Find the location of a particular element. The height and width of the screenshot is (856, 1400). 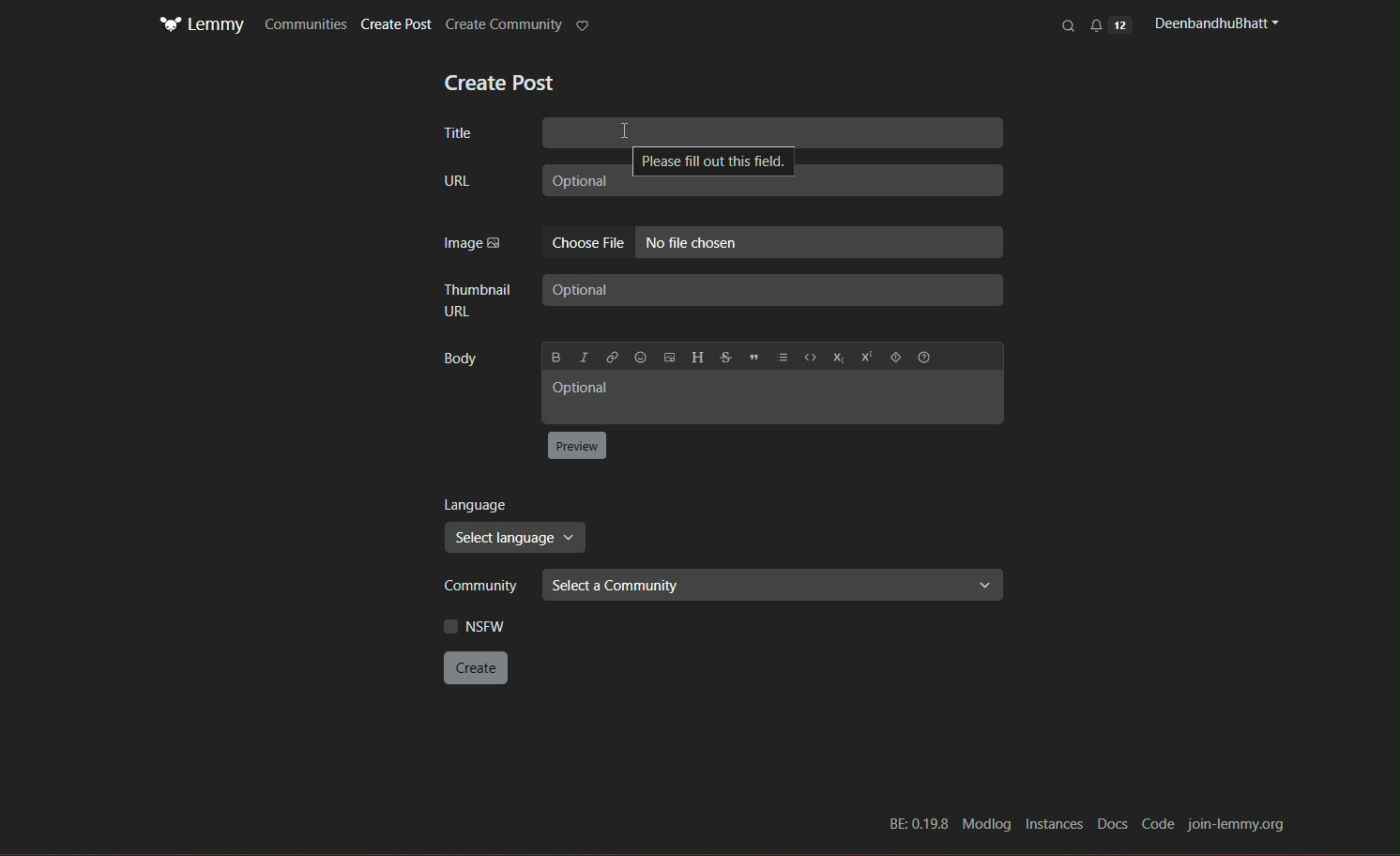

URL is located at coordinates (456, 182).